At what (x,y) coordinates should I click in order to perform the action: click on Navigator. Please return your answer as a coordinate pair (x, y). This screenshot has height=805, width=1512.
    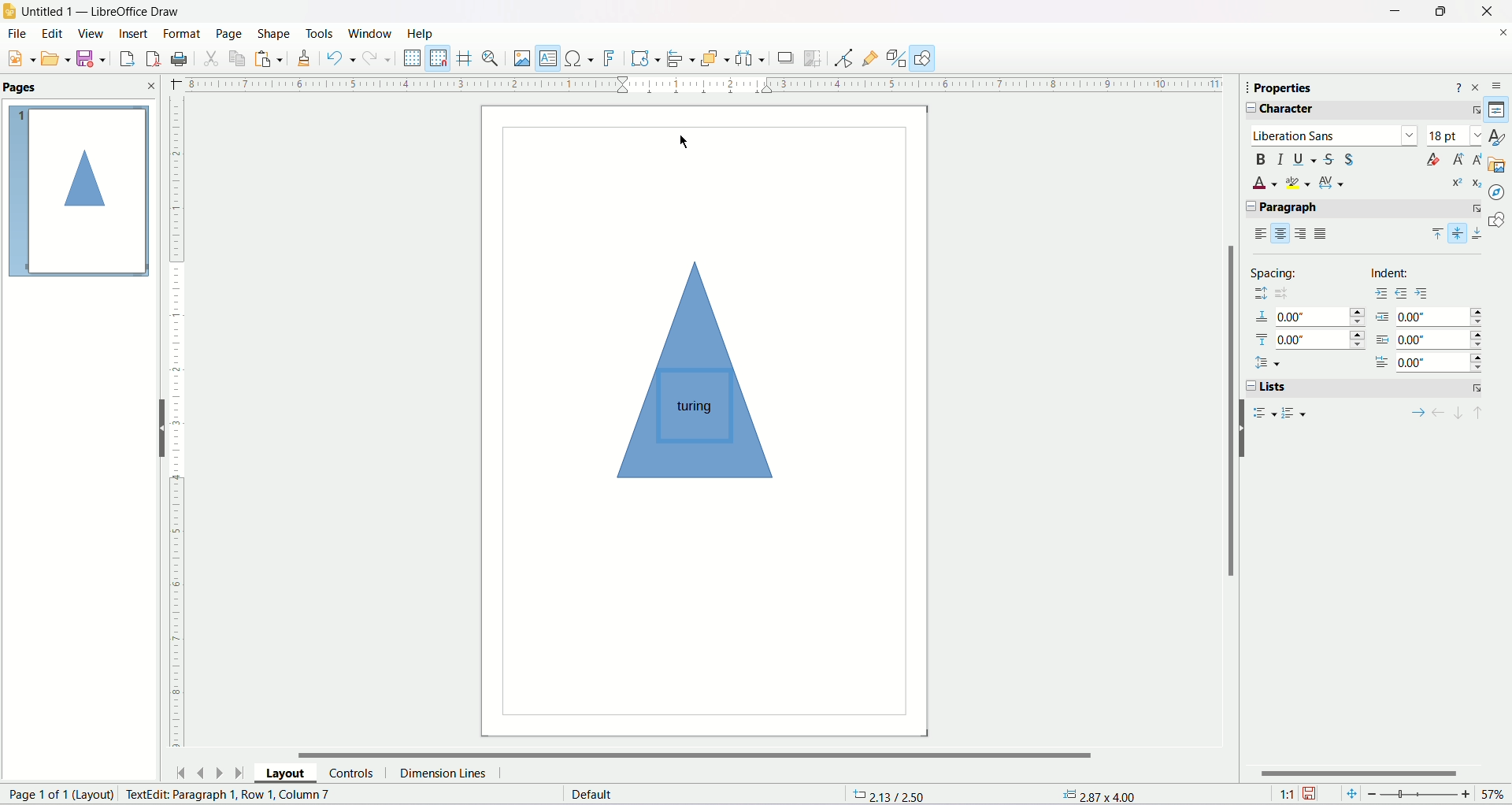
    Looking at the image, I should click on (1499, 191).